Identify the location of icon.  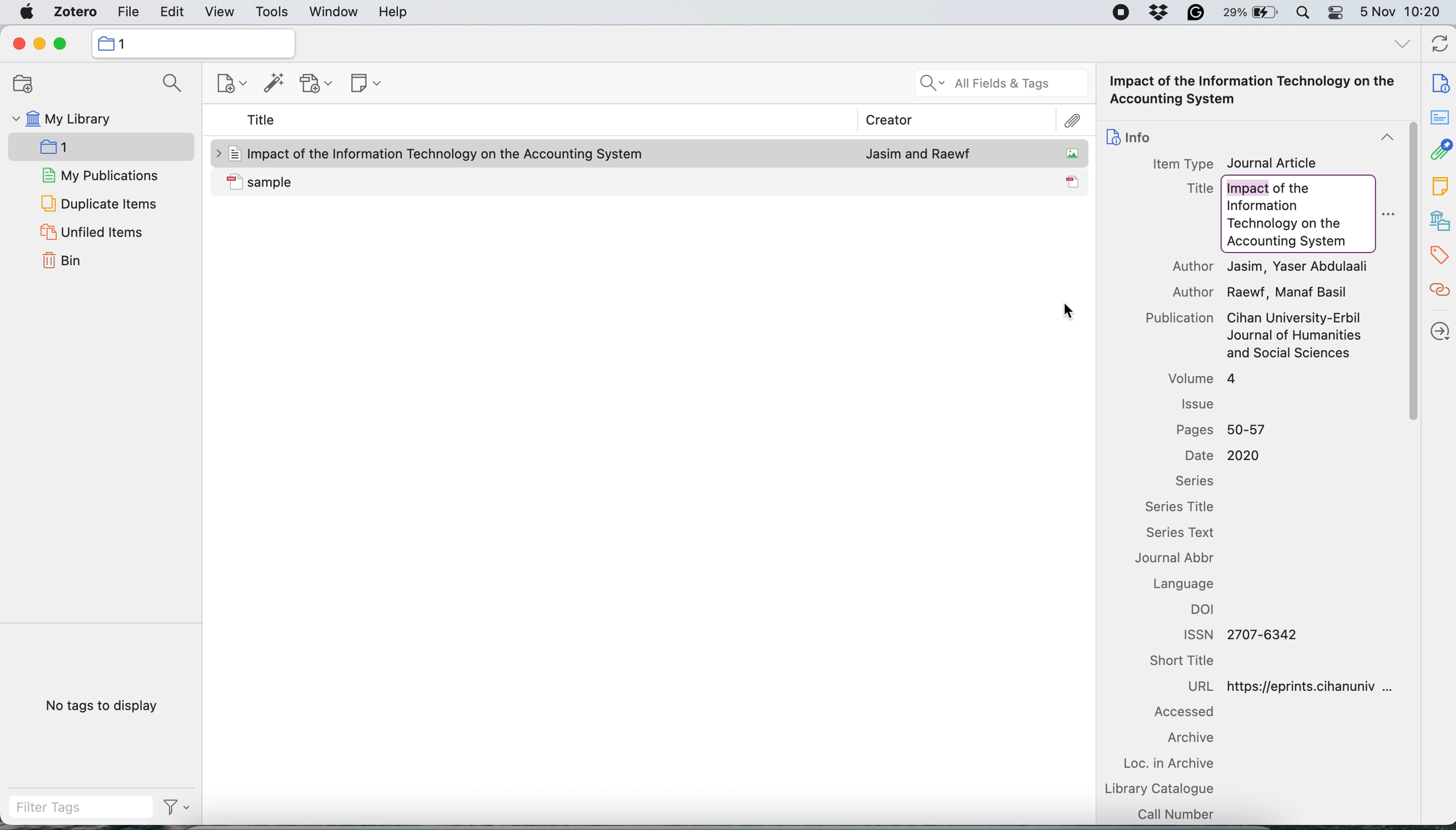
(234, 181).